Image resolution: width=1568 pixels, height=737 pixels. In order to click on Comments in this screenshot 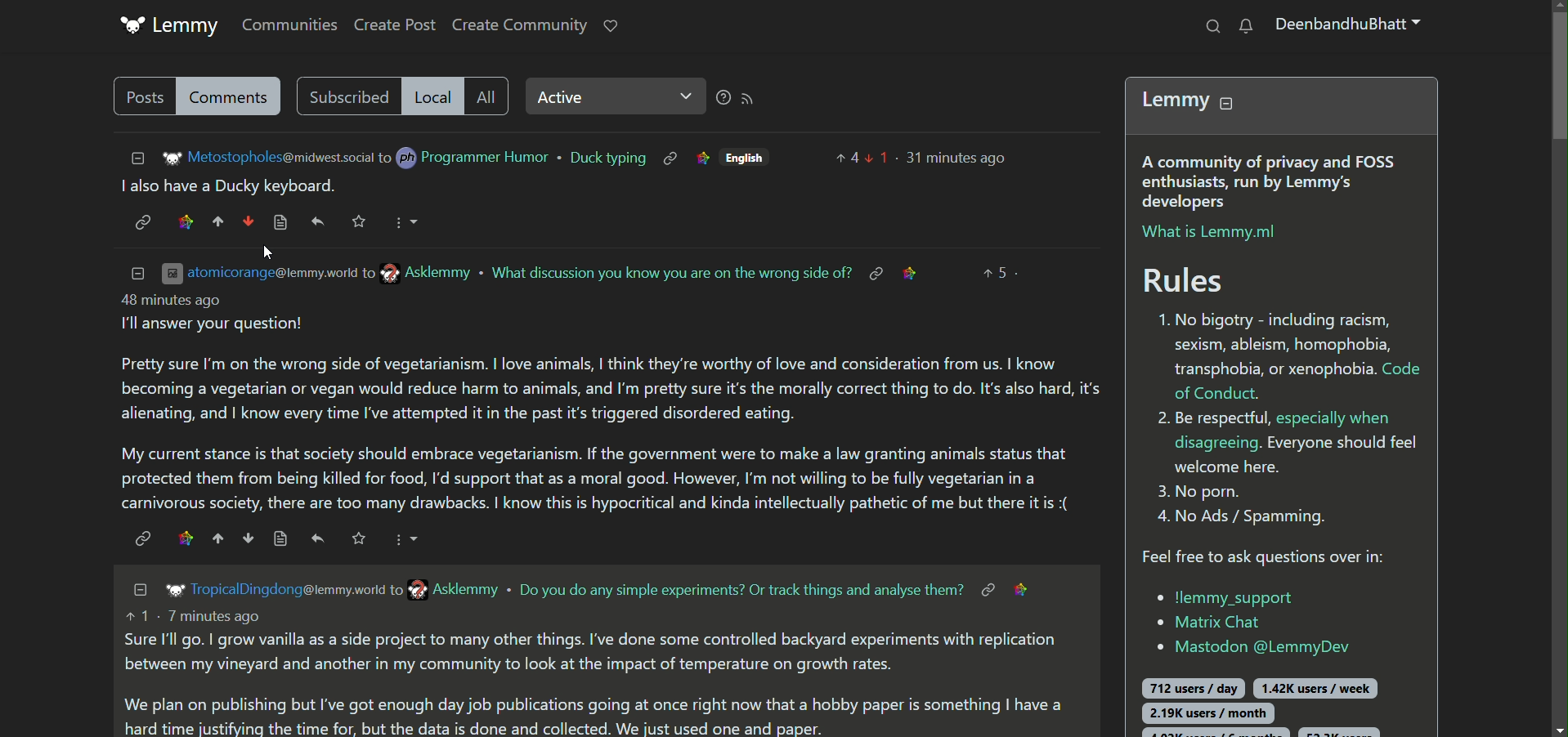, I will do `click(233, 96)`.